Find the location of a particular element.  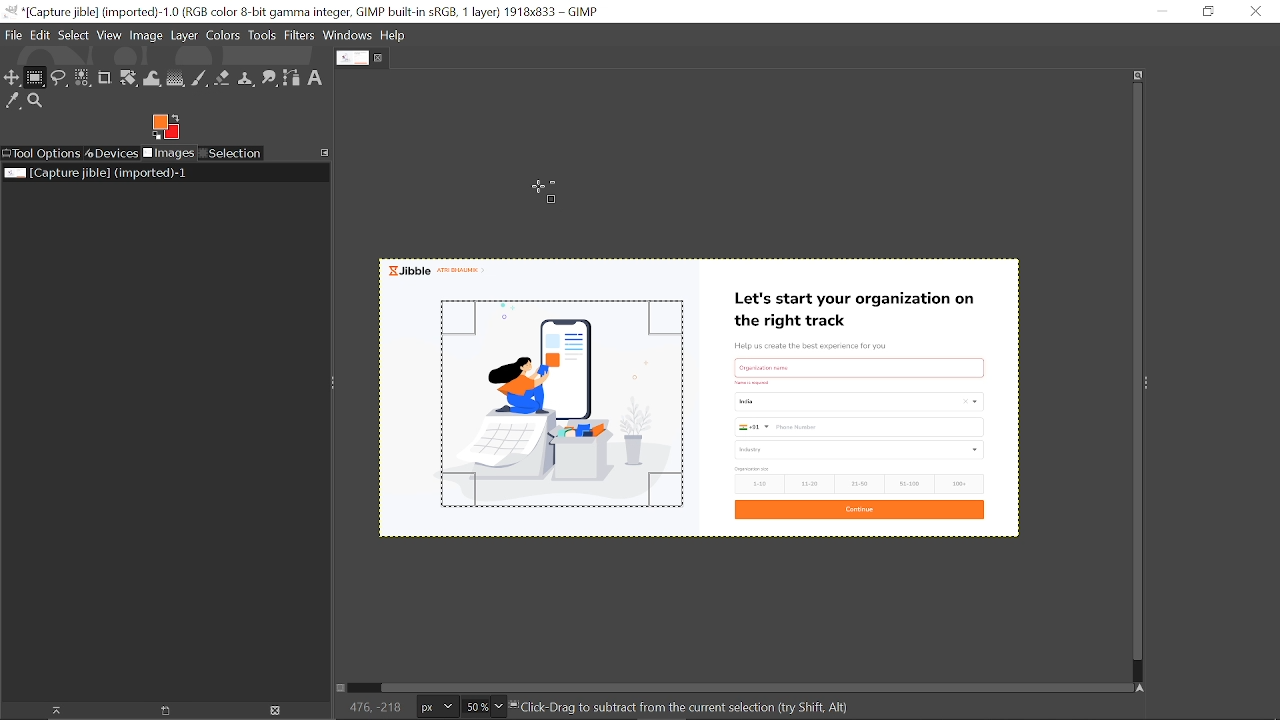

Current window is located at coordinates (309, 12).